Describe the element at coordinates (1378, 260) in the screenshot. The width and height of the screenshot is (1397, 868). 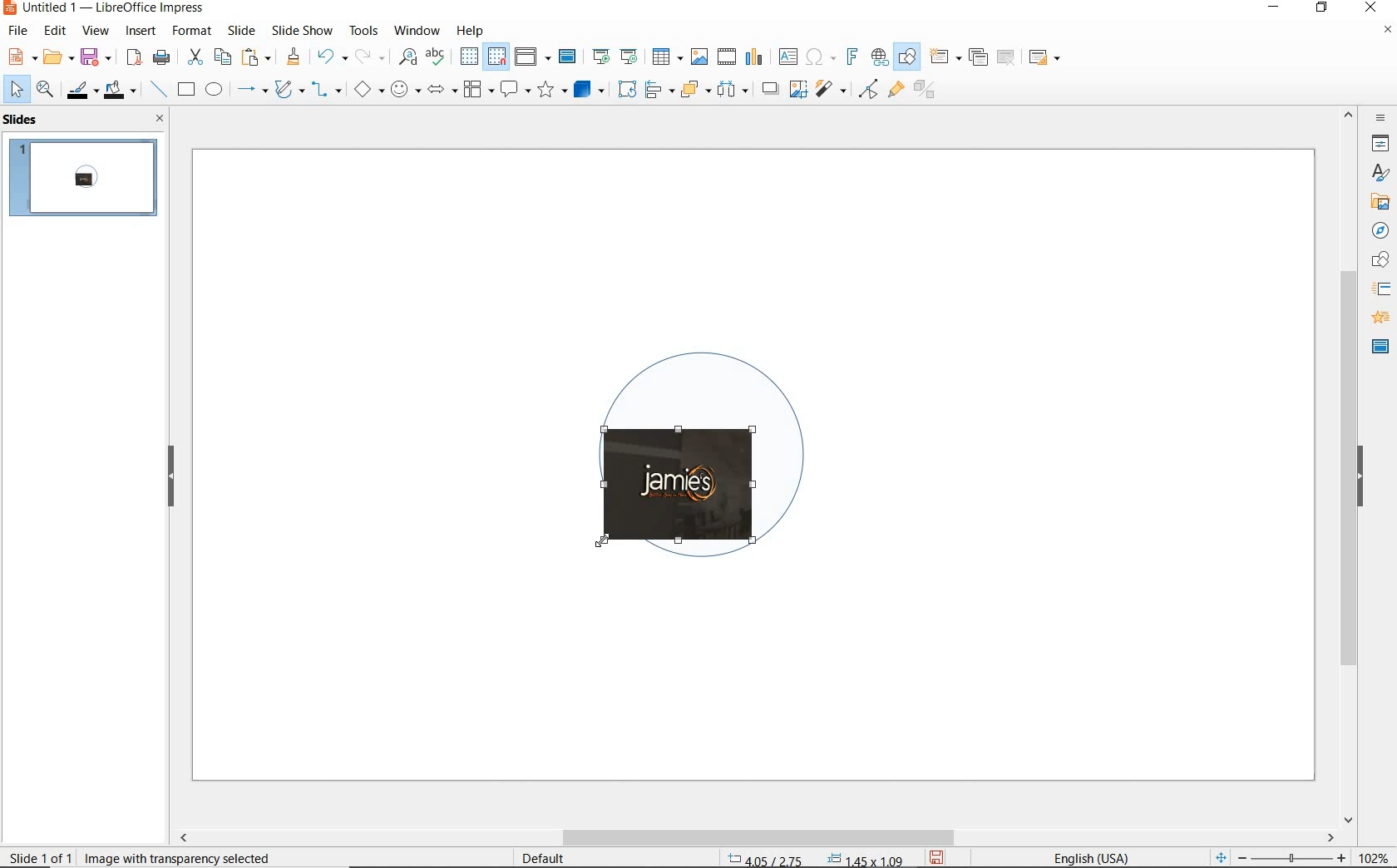
I see `shapes` at that location.